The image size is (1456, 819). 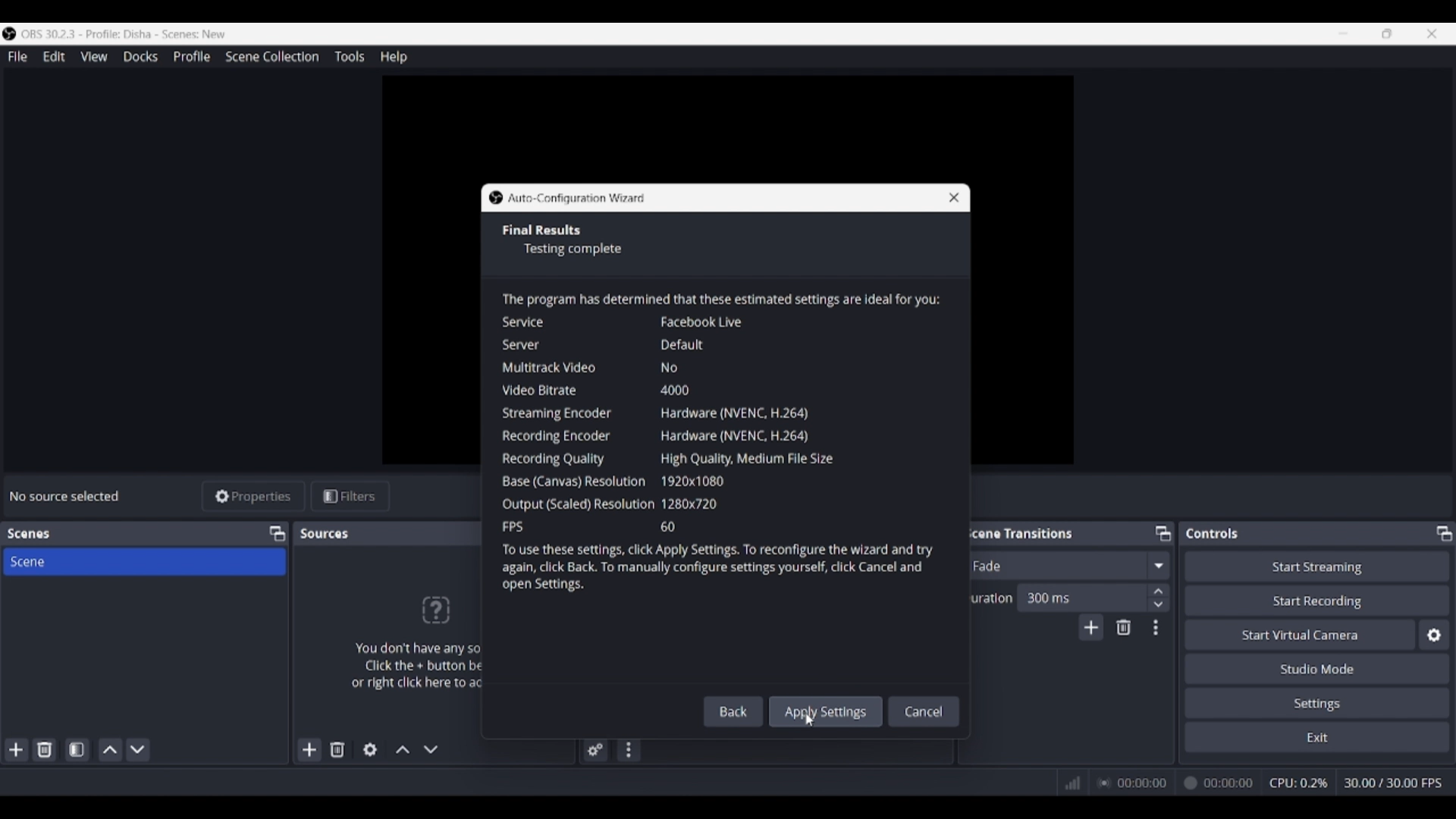 What do you see at coordinates (1343, 33) in the screenshot?
I see `Minimize` at bounding box center [1343, 33].